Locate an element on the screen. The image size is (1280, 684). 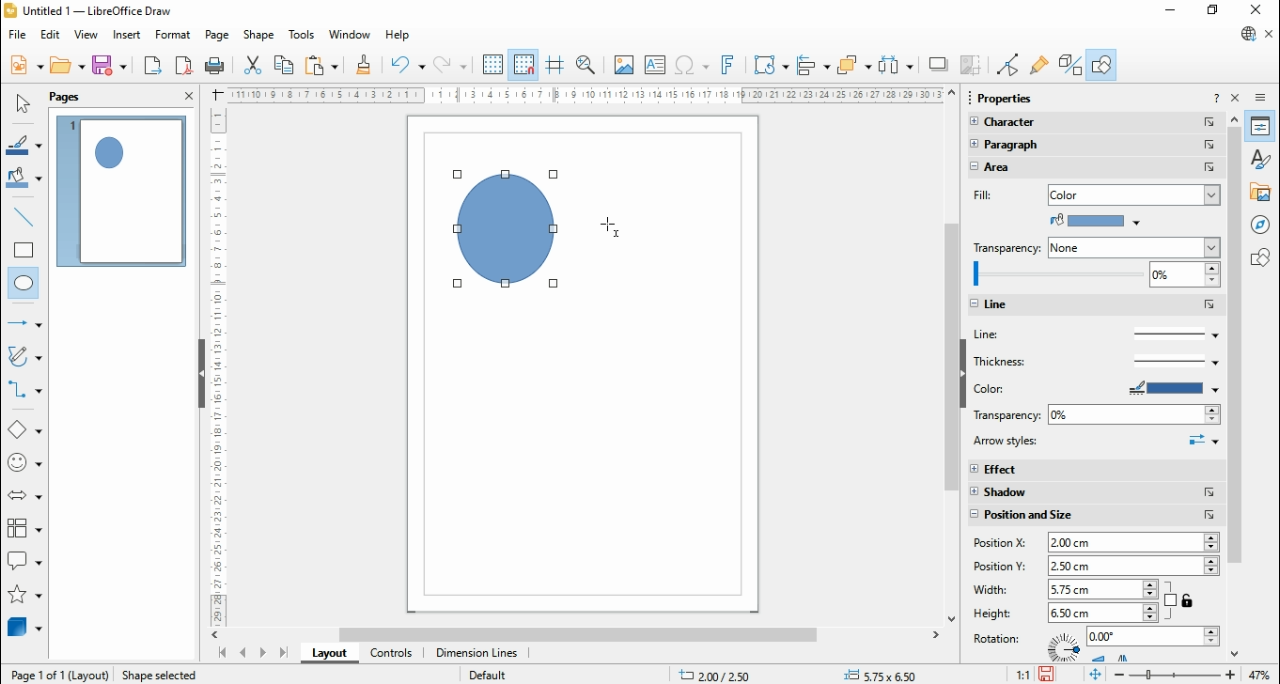
scroll bar is located at coordinates (952, 355).